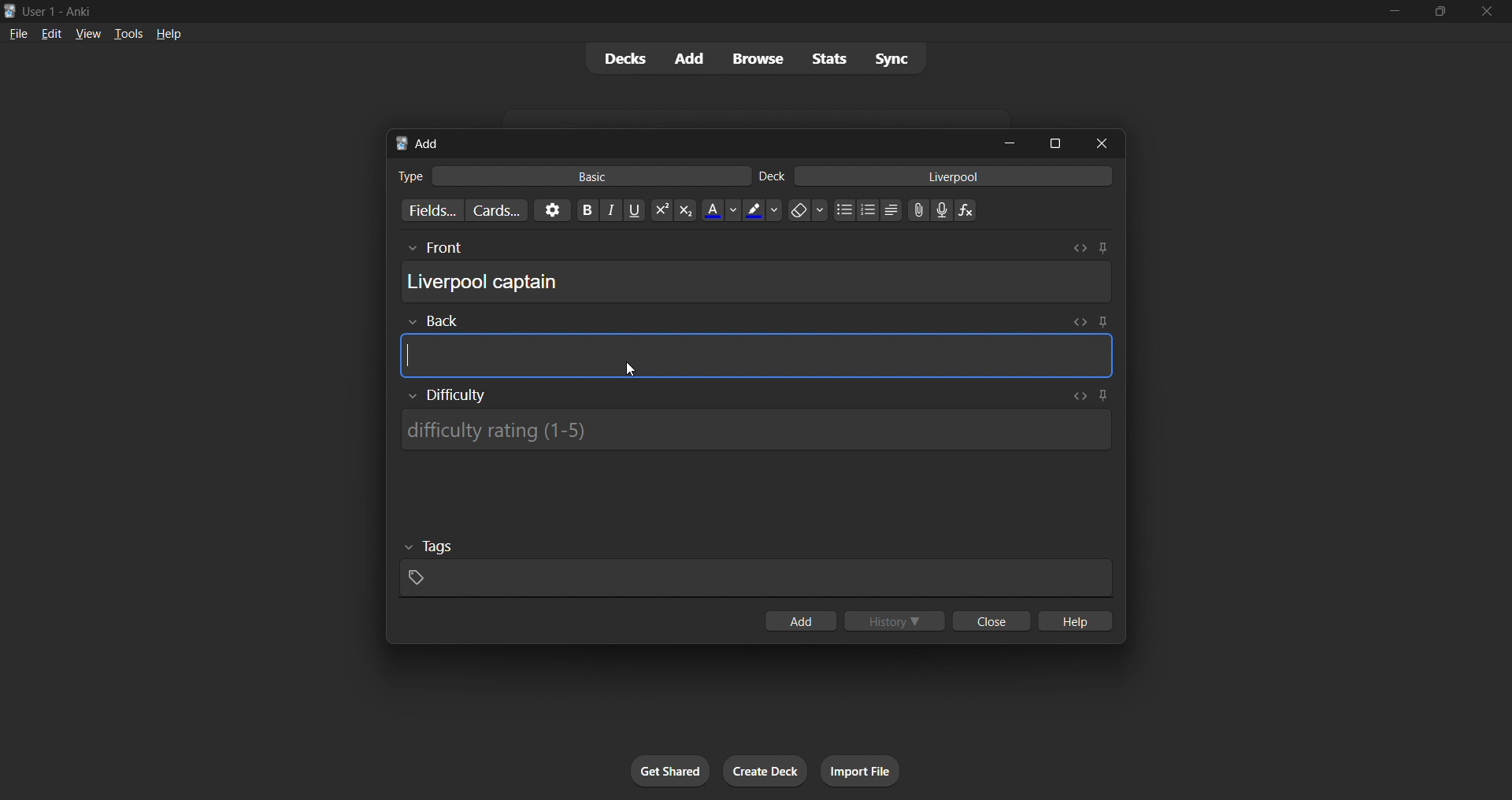  Describe the element at coordinates (634, 210) in the screenshot. I see `Underline` at that location.